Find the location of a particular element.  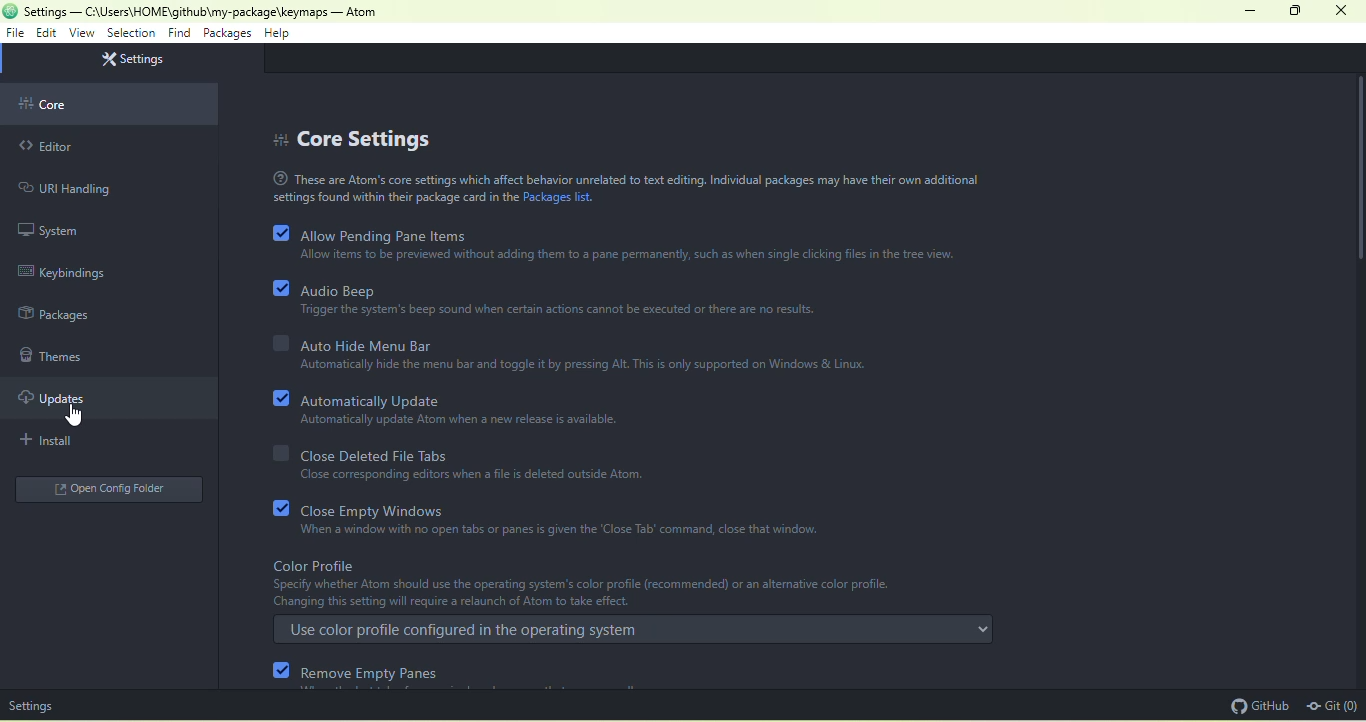

system is located at coordinates (54, 231).